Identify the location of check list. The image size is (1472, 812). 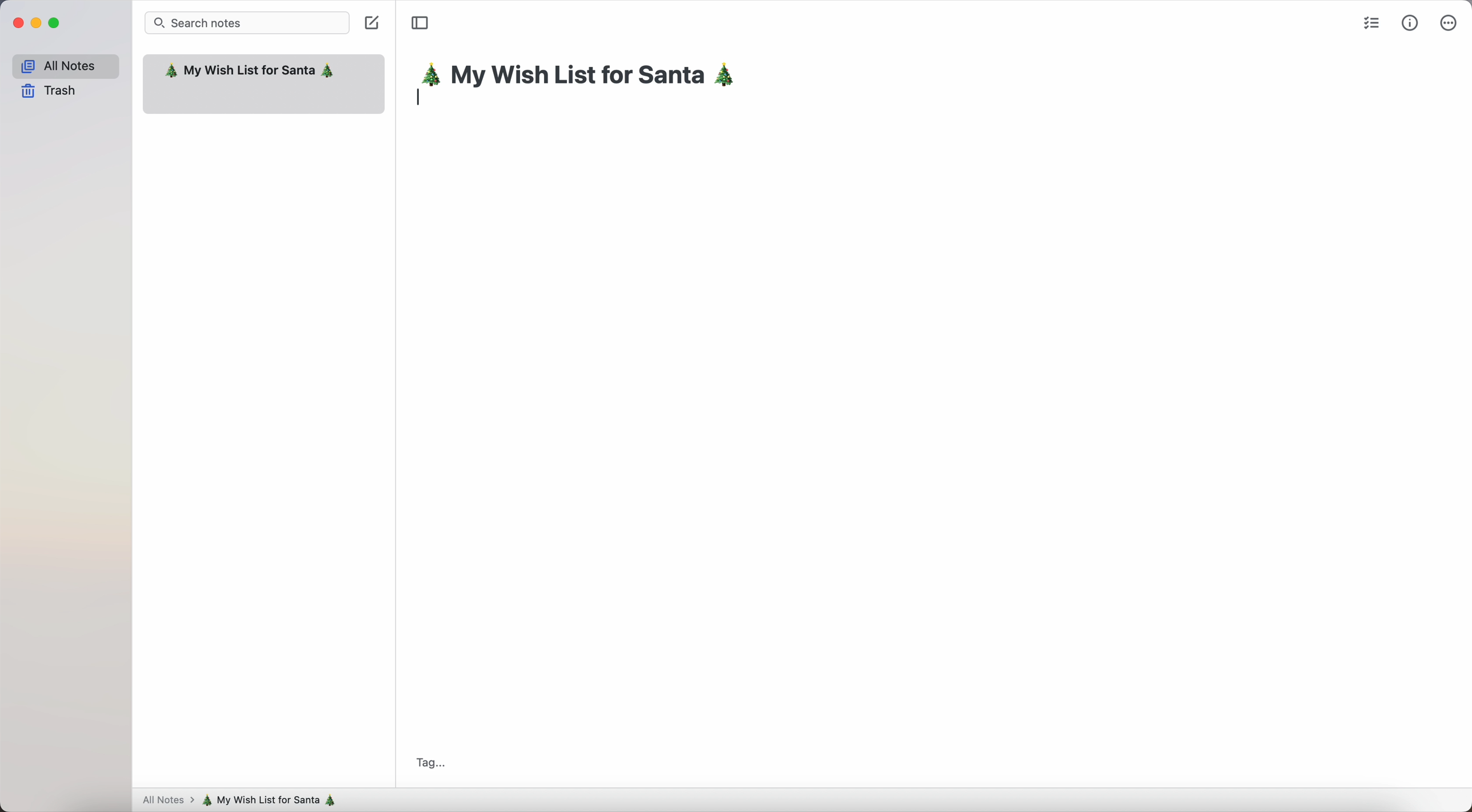
(1369, 22).